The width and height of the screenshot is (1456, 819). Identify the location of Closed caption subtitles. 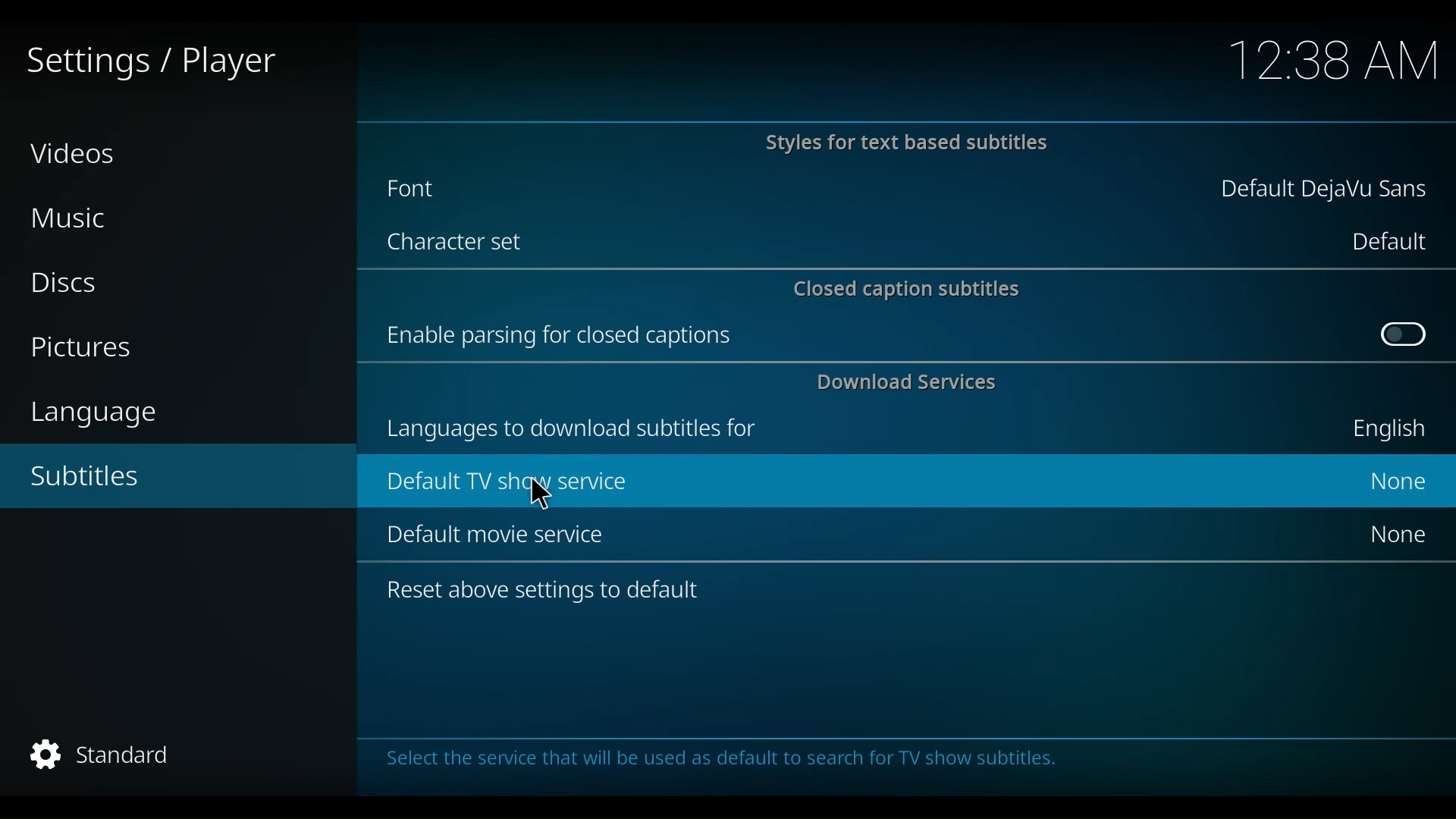
(909, 287).